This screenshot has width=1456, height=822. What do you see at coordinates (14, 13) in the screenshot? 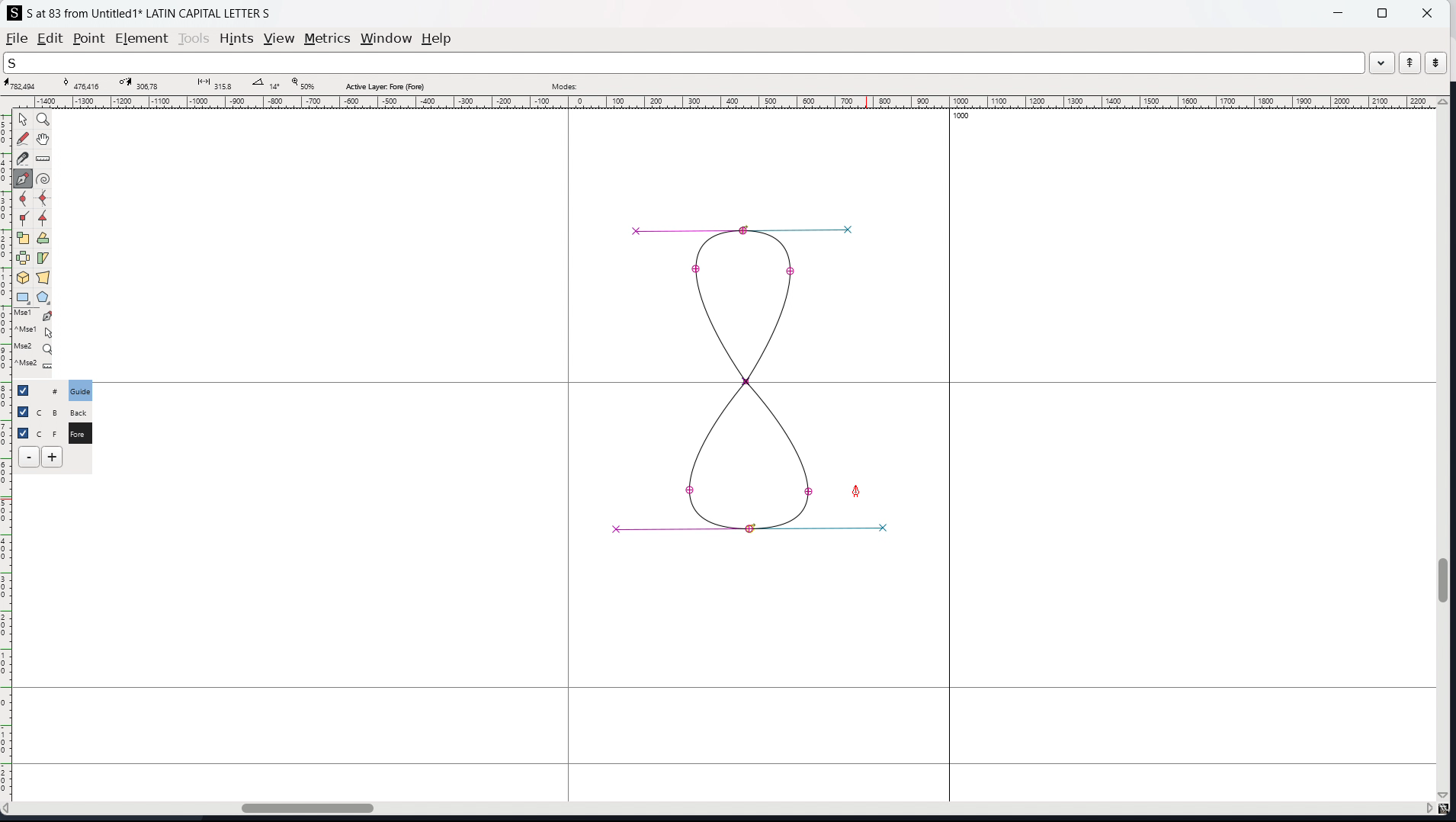
I see `logo` at bounding box center [14, 13].